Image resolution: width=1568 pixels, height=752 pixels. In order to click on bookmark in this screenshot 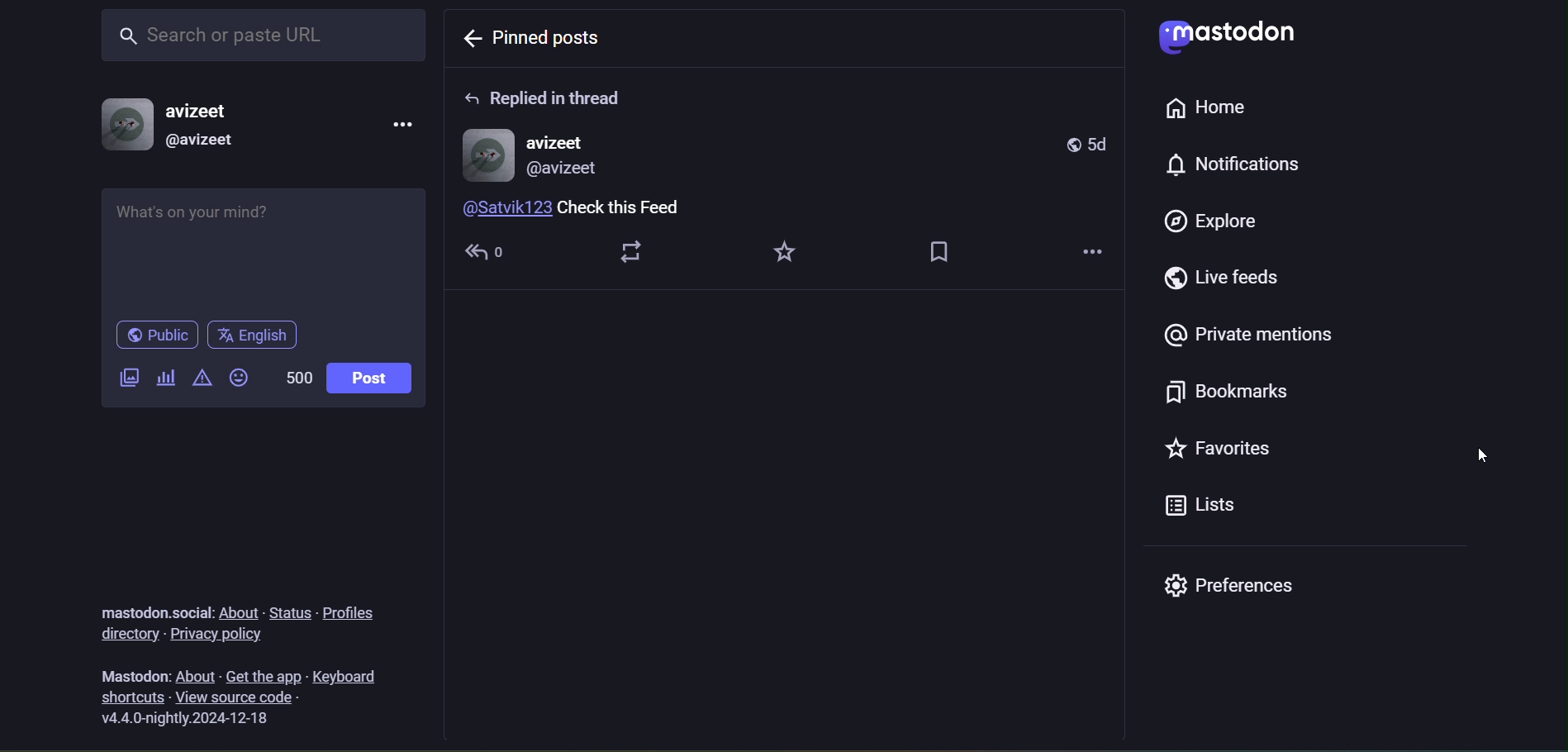, I will do `click(953, 251)`.